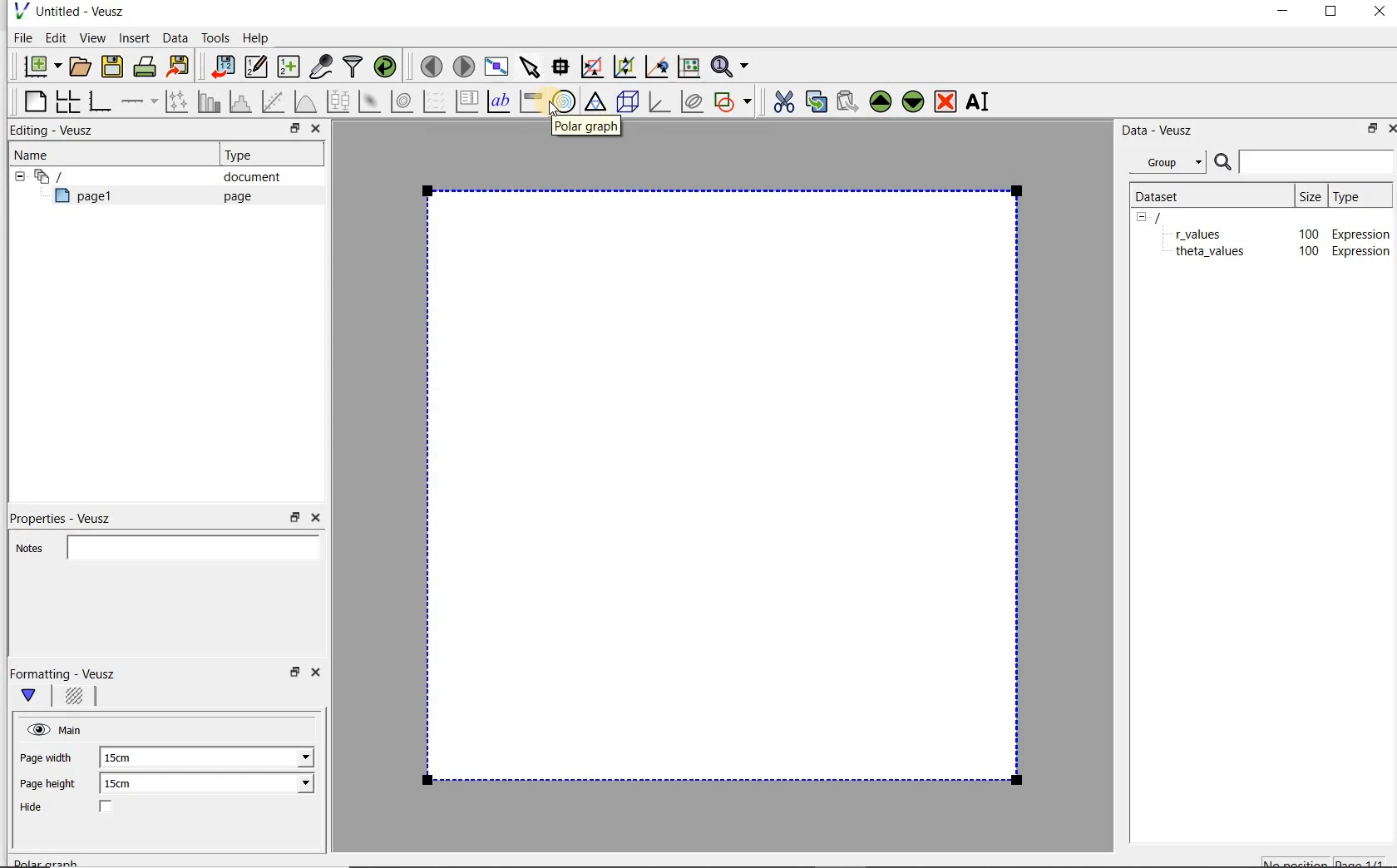 Image resolution: width=1397 pixels, height=868 pixels. Describe the element at coordinates (56, 131) in the screenshot. I see `Editing - Veusz` at that location.